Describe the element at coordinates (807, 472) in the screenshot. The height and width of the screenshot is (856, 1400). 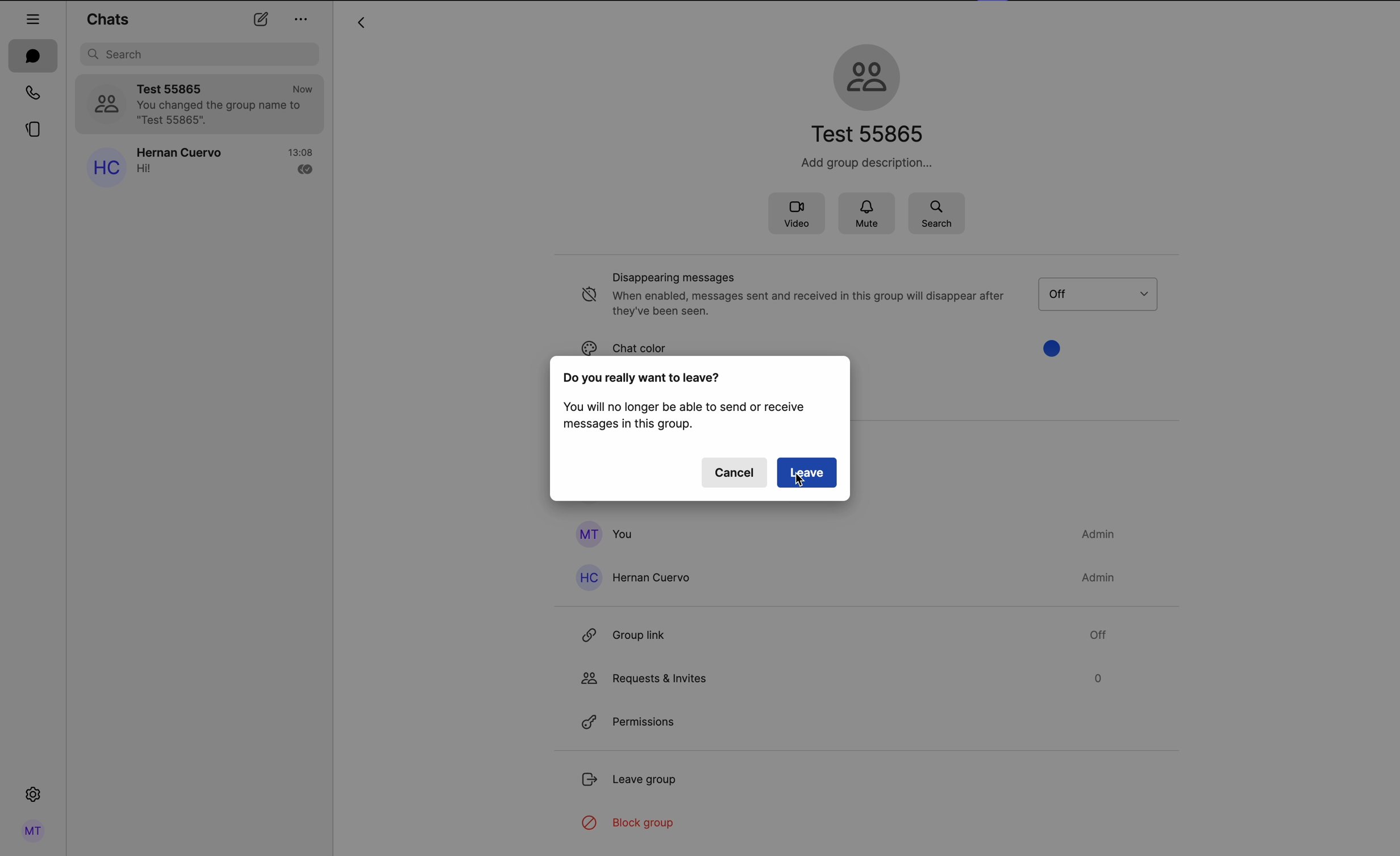
I see `click on leave button` at that location.